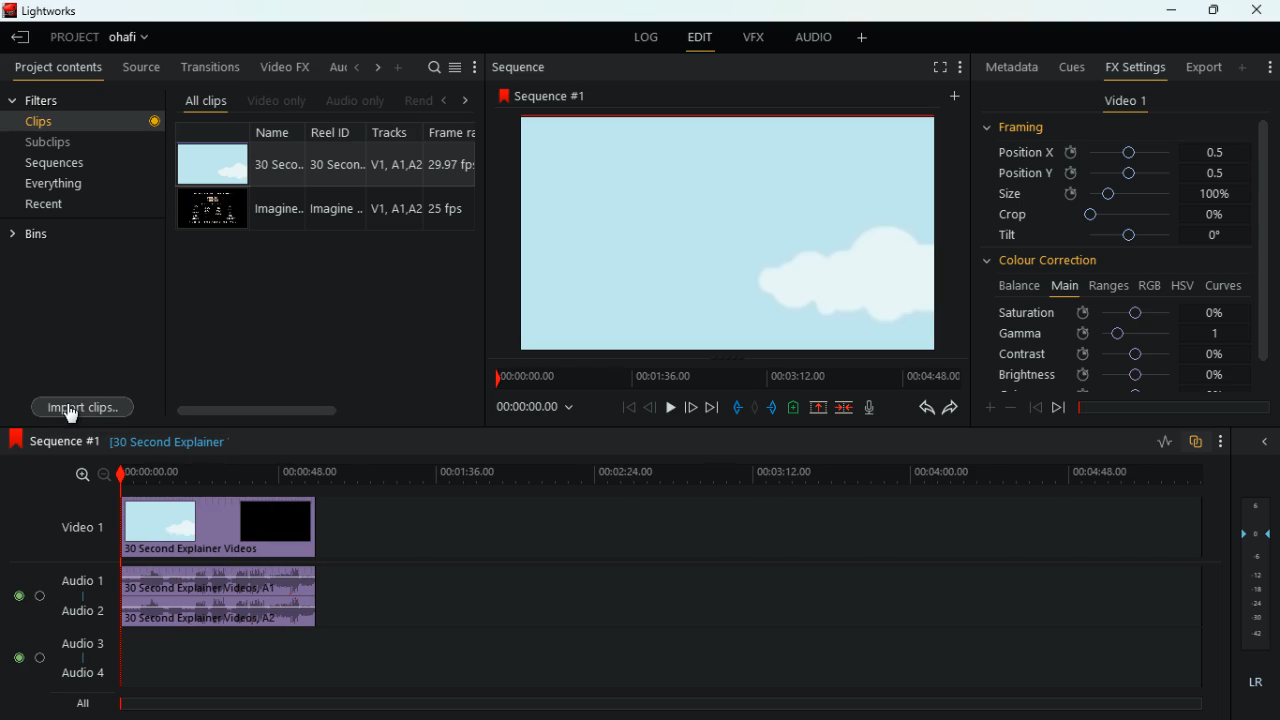  I want to click on video, so click(231, 524).